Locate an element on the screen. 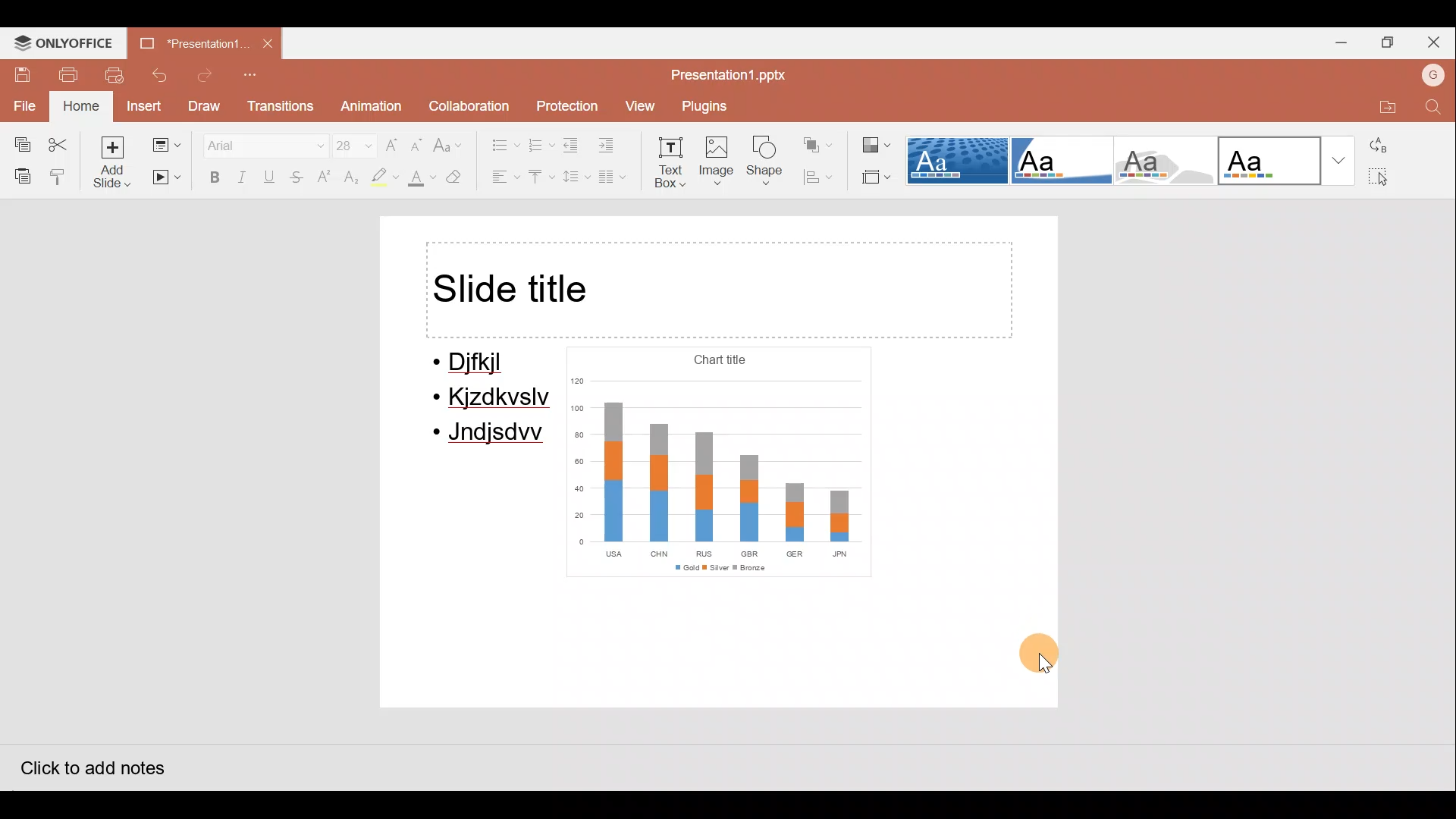 The height and width of the screenshot is (819, 1456). Account name is located at coordinates (1432, 77).